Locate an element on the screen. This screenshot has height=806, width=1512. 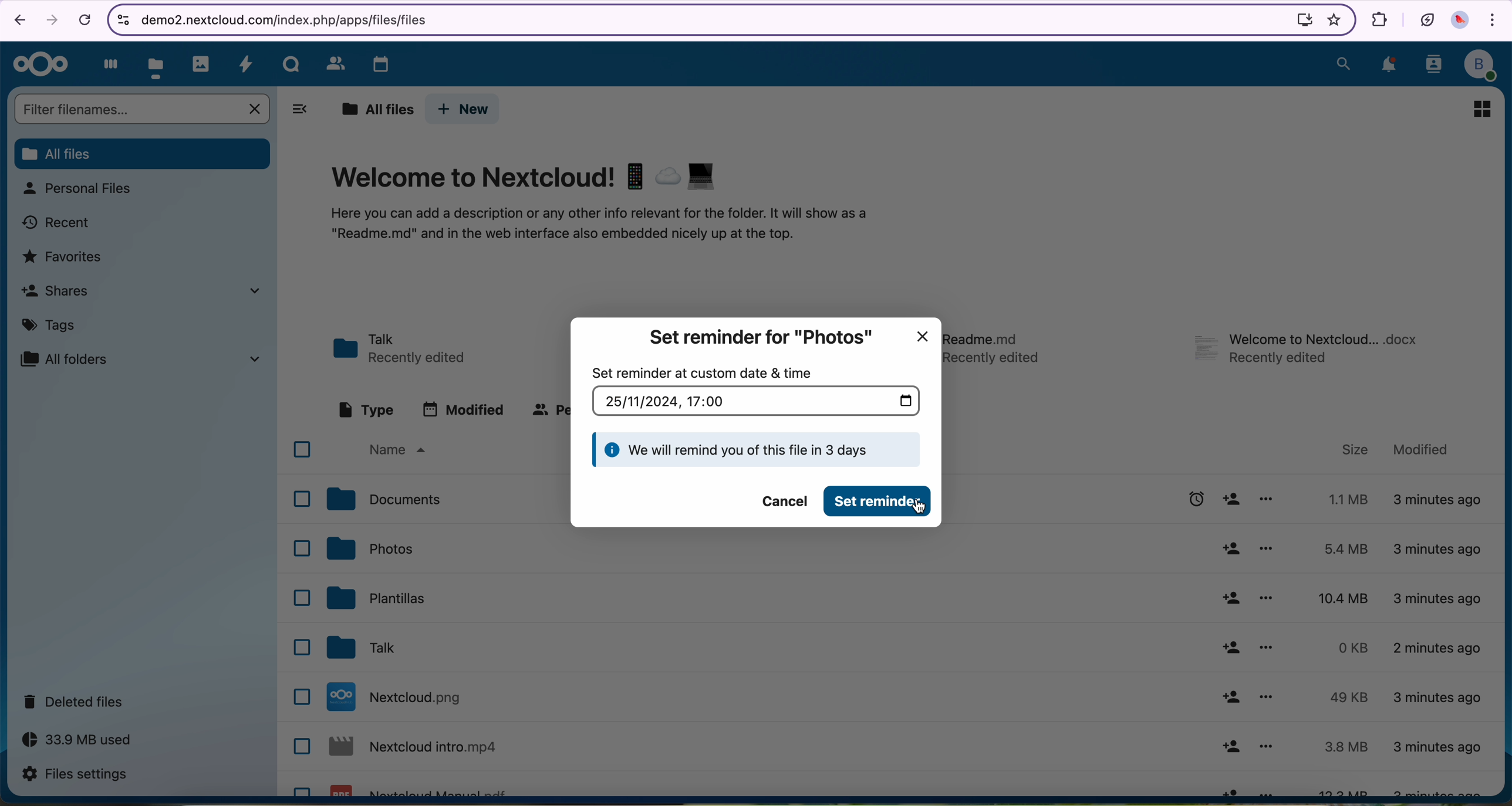
3 minutes ago is located at coordinates (1437, 548).